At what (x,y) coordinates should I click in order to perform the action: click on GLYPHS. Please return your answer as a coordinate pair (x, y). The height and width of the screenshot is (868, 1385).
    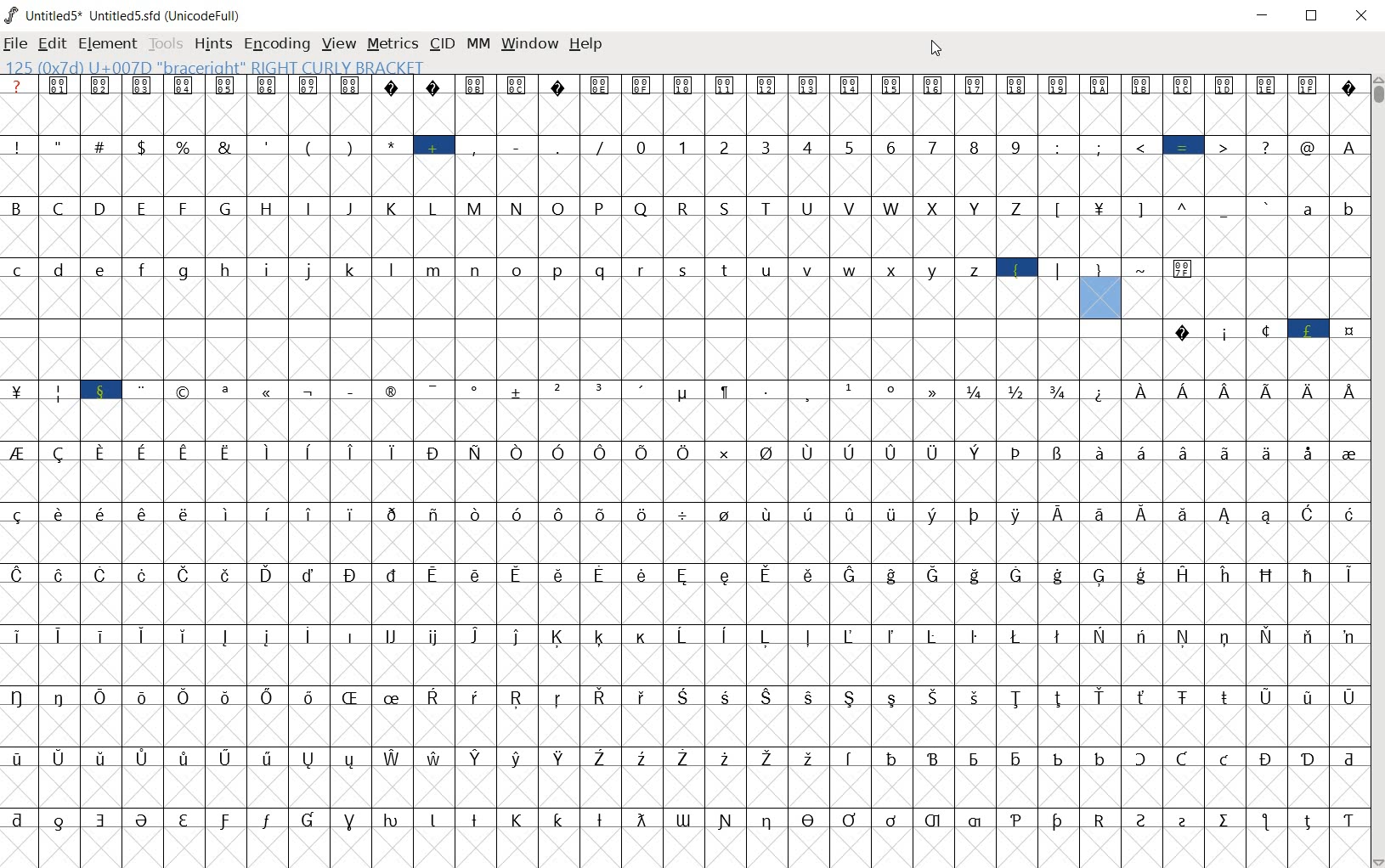
    Looking at the image, I should click on (539, 471).